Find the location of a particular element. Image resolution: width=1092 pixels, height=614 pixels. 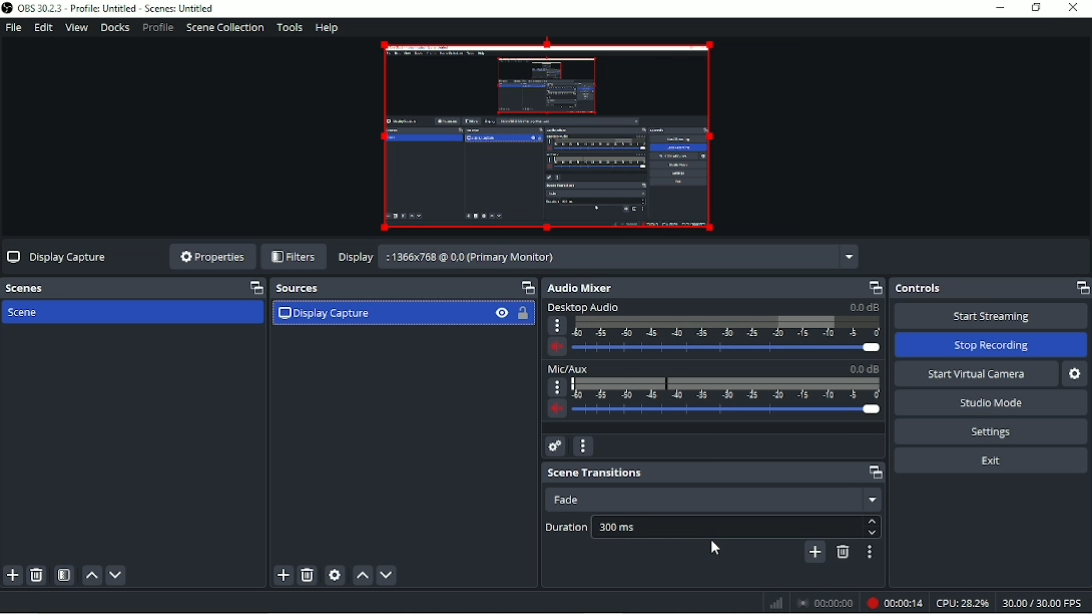

Edit is located at coordinates (44, 28).